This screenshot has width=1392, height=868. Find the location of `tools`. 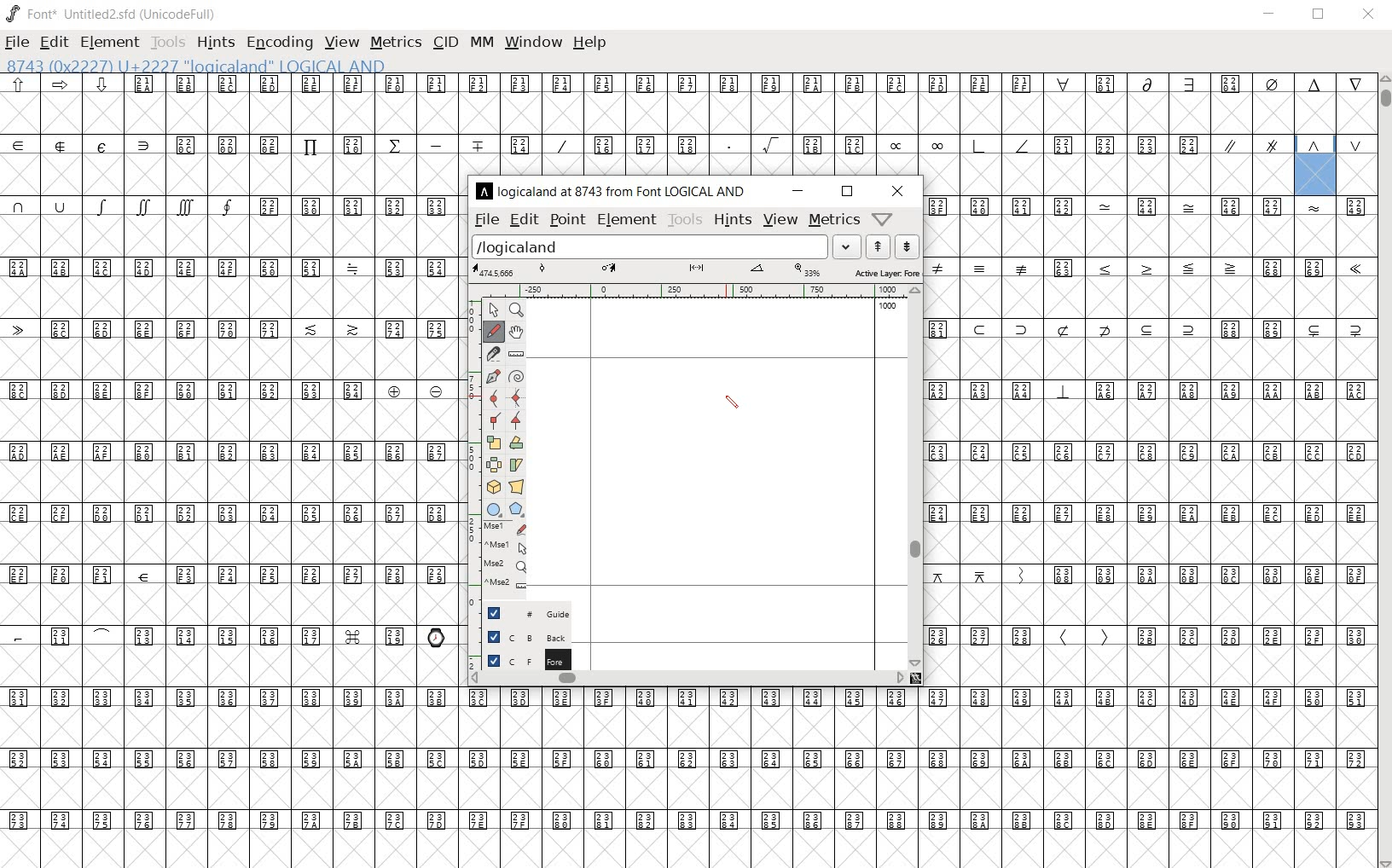

tools is located at coordinates (169, 42).